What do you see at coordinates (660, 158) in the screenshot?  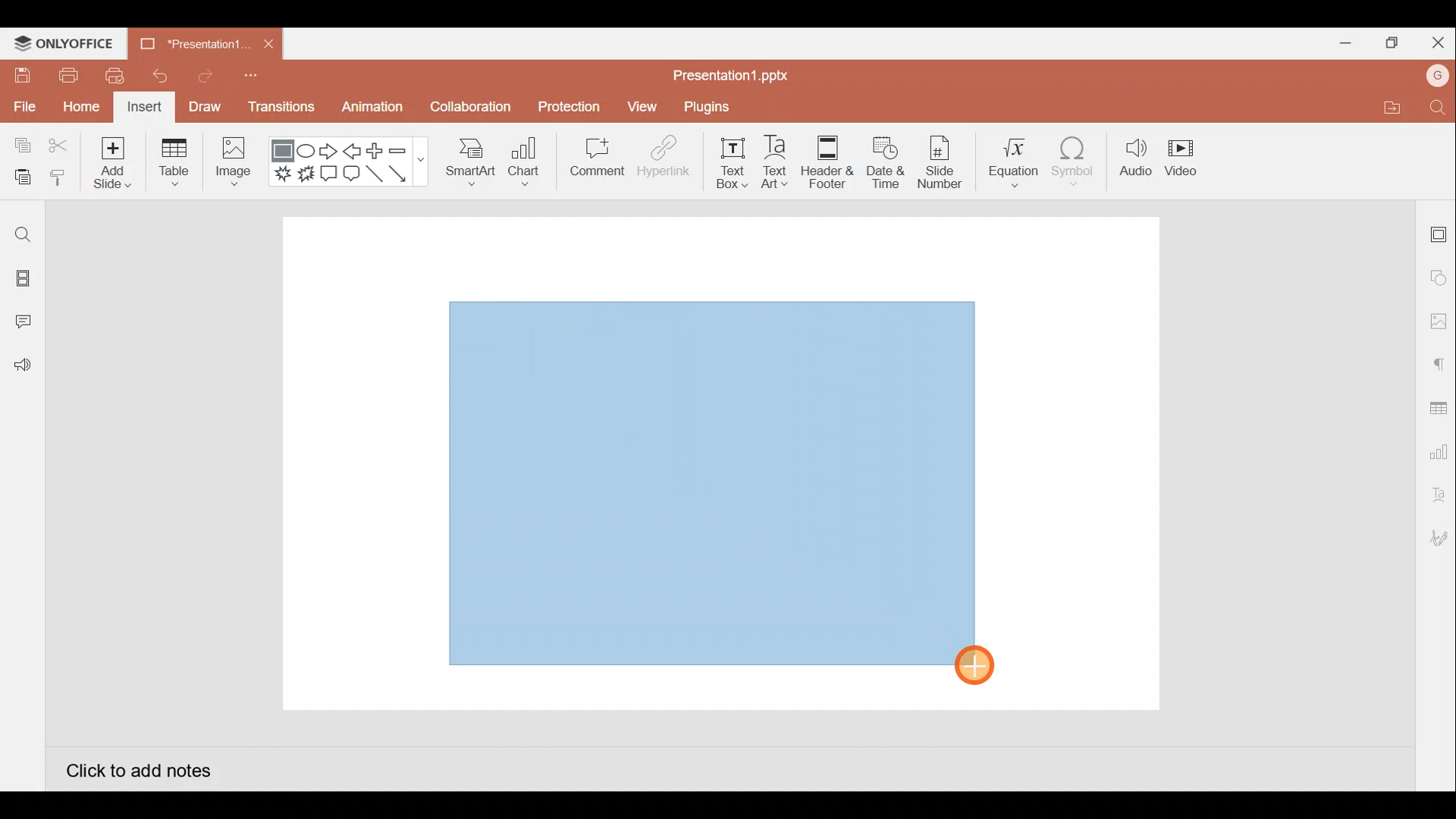 I see `Hyperlink` at bounding box center [660, 158].